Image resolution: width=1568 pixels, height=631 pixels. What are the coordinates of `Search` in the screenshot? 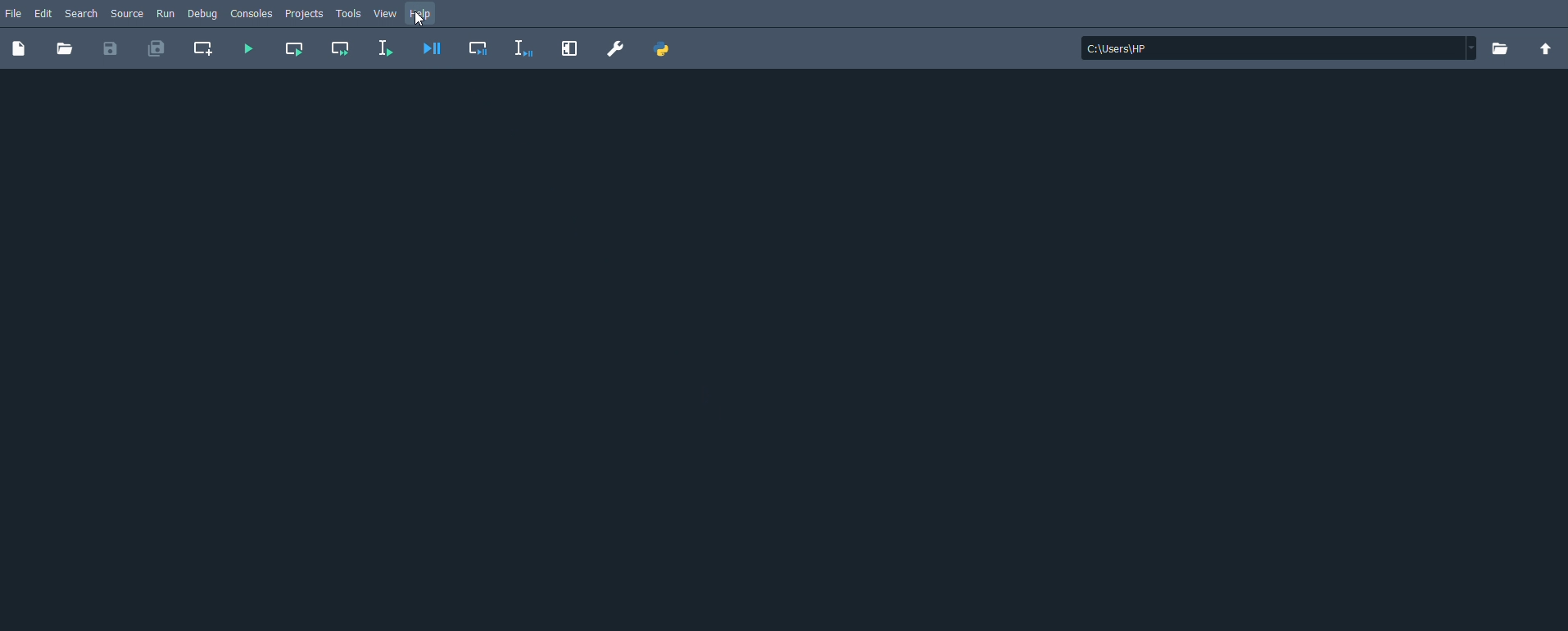 It's located at (84, 13).